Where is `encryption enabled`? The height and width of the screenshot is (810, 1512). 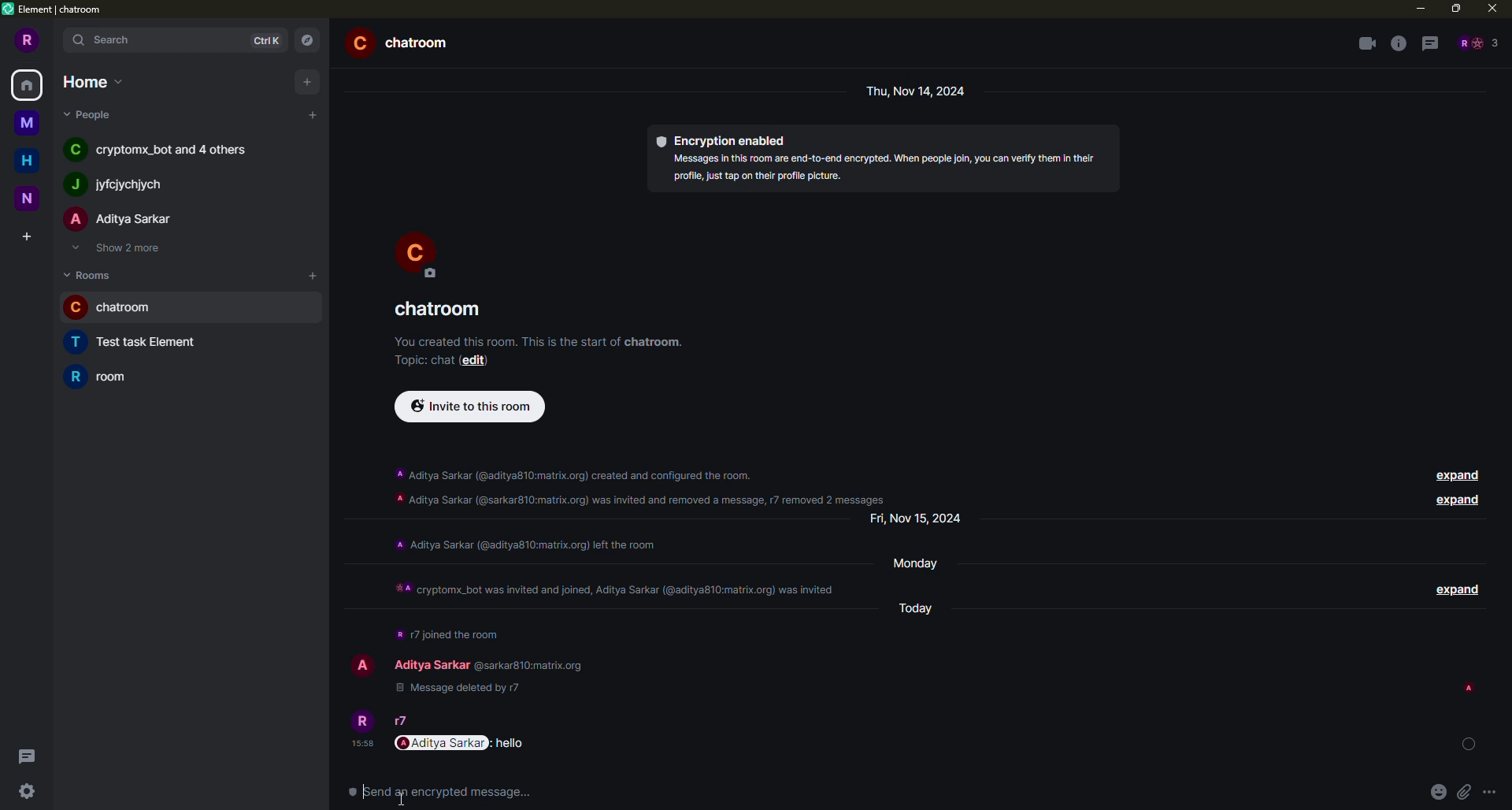 encryption enabled is located at coordinates (724, 138).